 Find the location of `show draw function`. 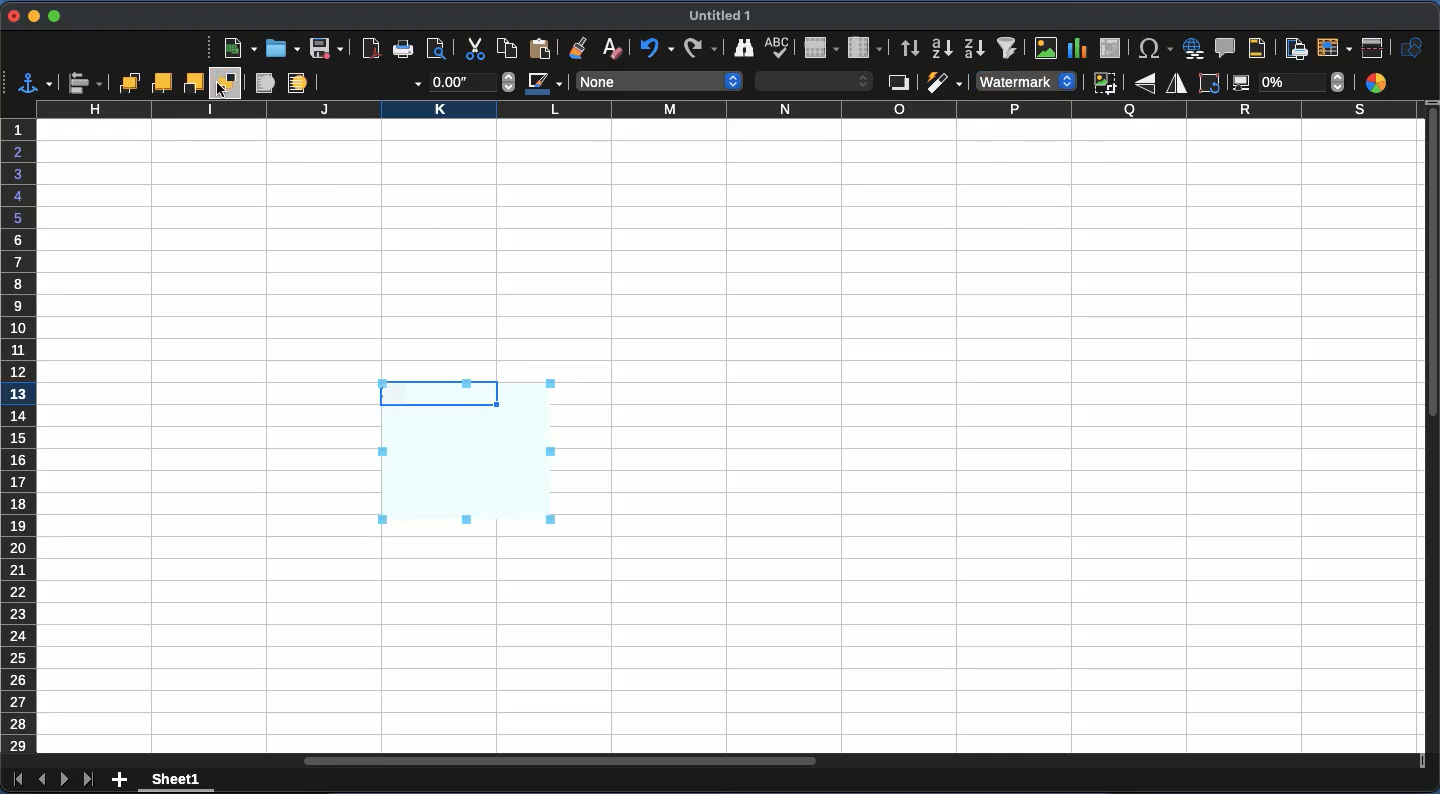

show draw function is located at coordinates (1412, 48).